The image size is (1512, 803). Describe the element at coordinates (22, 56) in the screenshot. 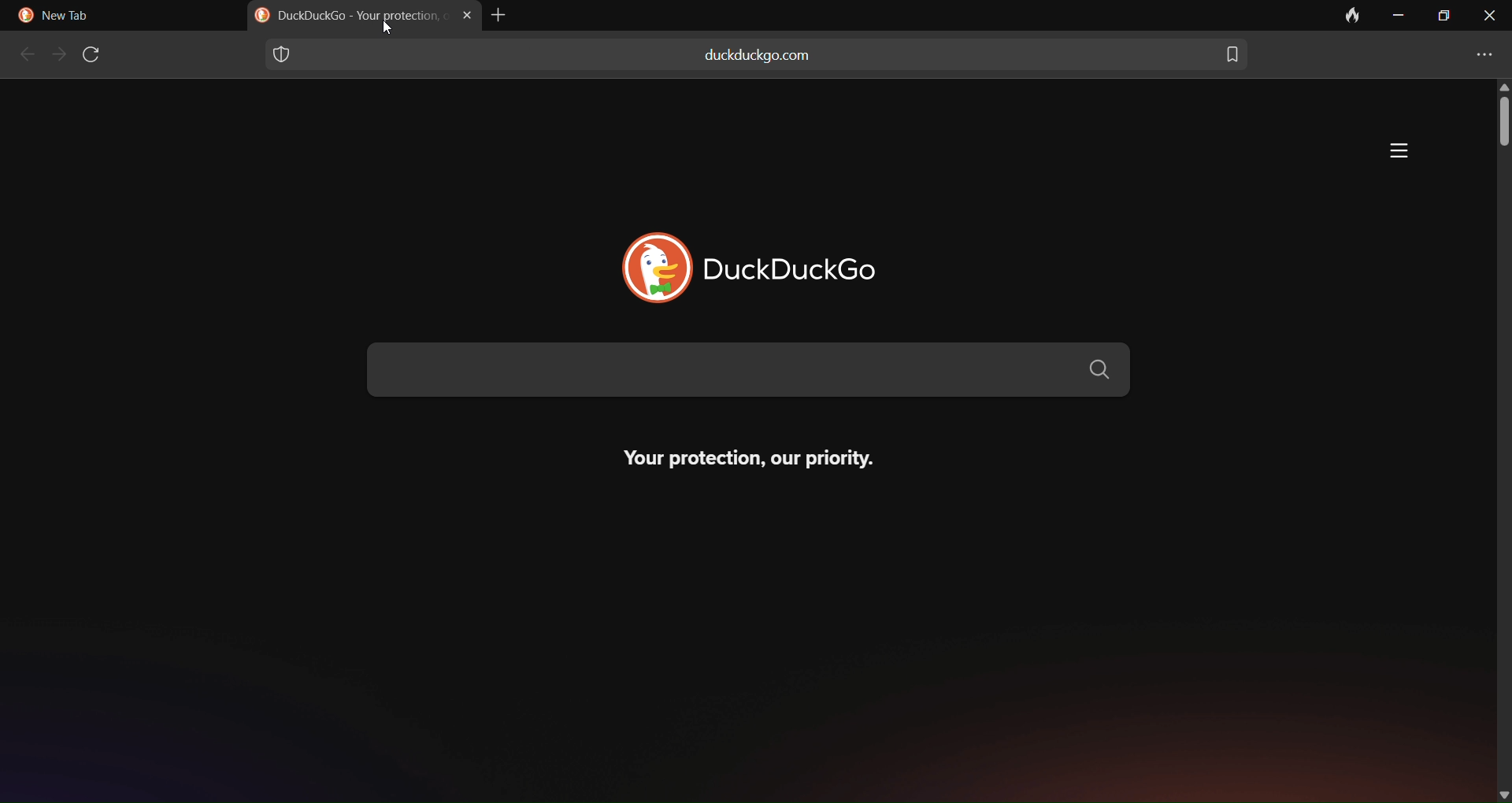

I see `back` at that location.